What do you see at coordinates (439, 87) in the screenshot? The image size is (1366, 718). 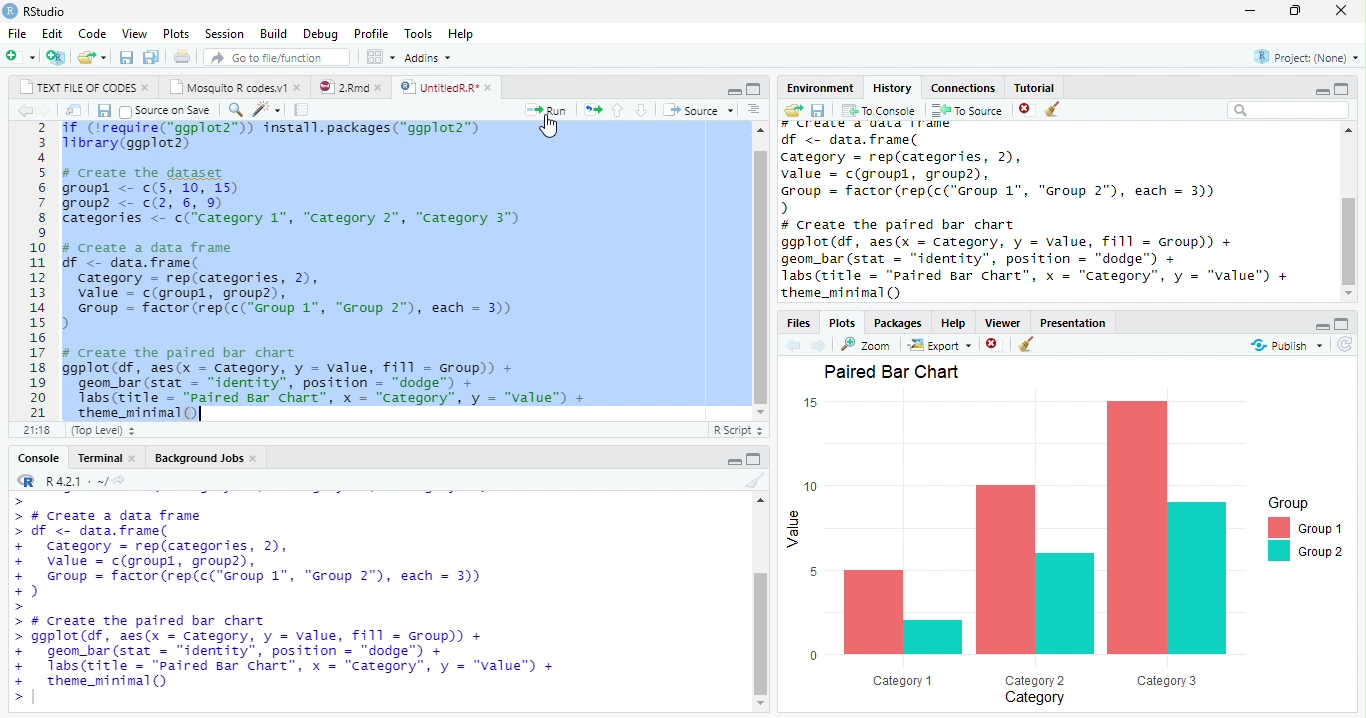 I see `UntitledR.R*` at bounding box center [439, 87].